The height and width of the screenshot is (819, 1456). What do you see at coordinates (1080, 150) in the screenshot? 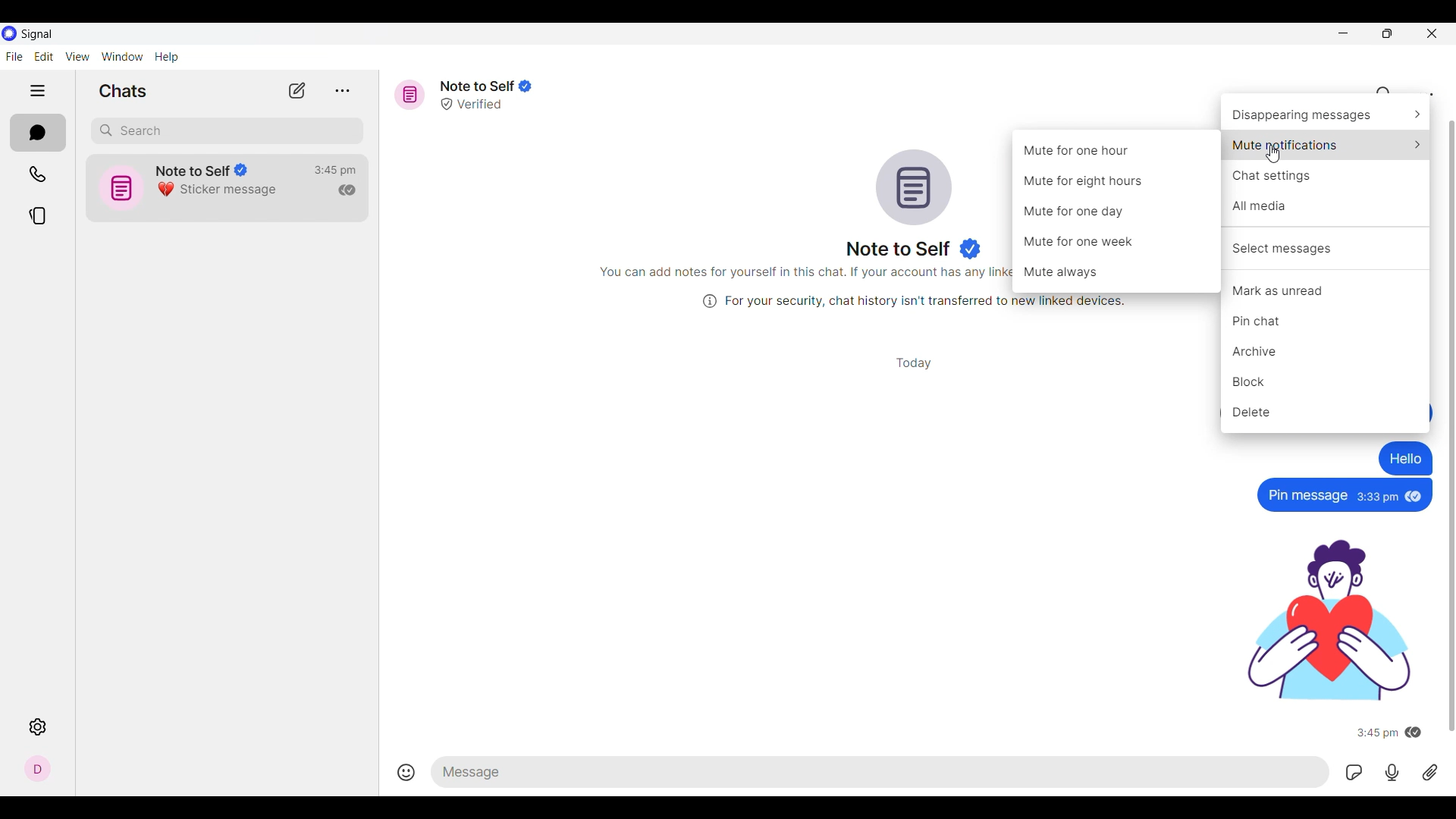
I see `Mute for one hour` at bounding box center [1080, 150].